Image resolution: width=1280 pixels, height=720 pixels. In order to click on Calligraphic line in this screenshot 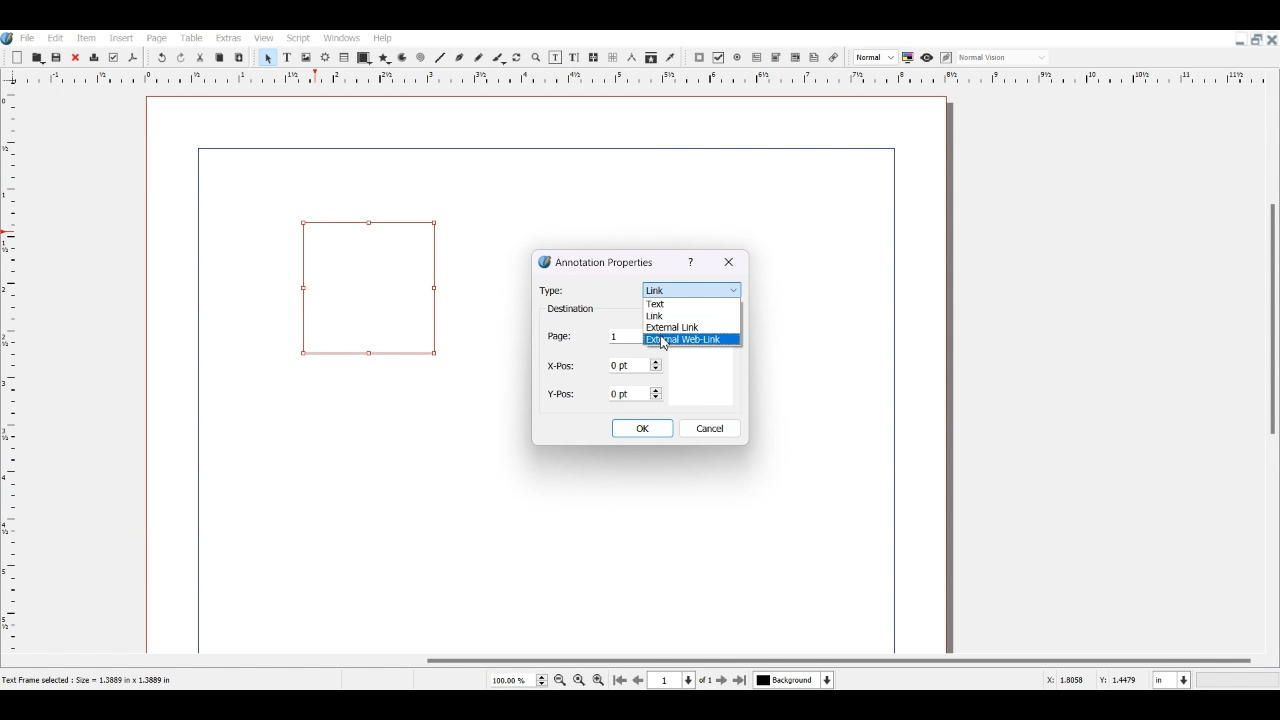, I will do `click(499, 58)`.